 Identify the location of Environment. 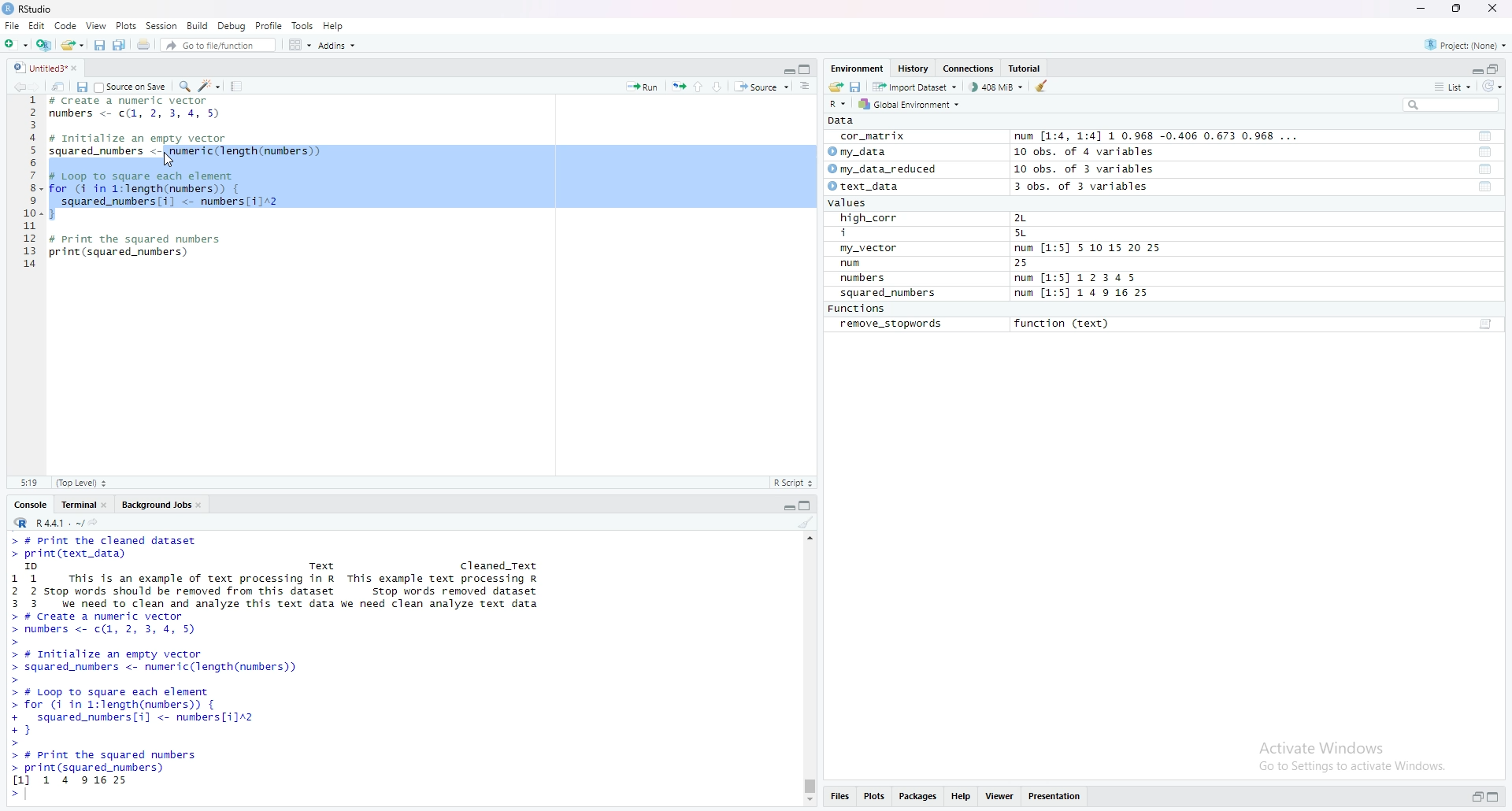
(857, 68).